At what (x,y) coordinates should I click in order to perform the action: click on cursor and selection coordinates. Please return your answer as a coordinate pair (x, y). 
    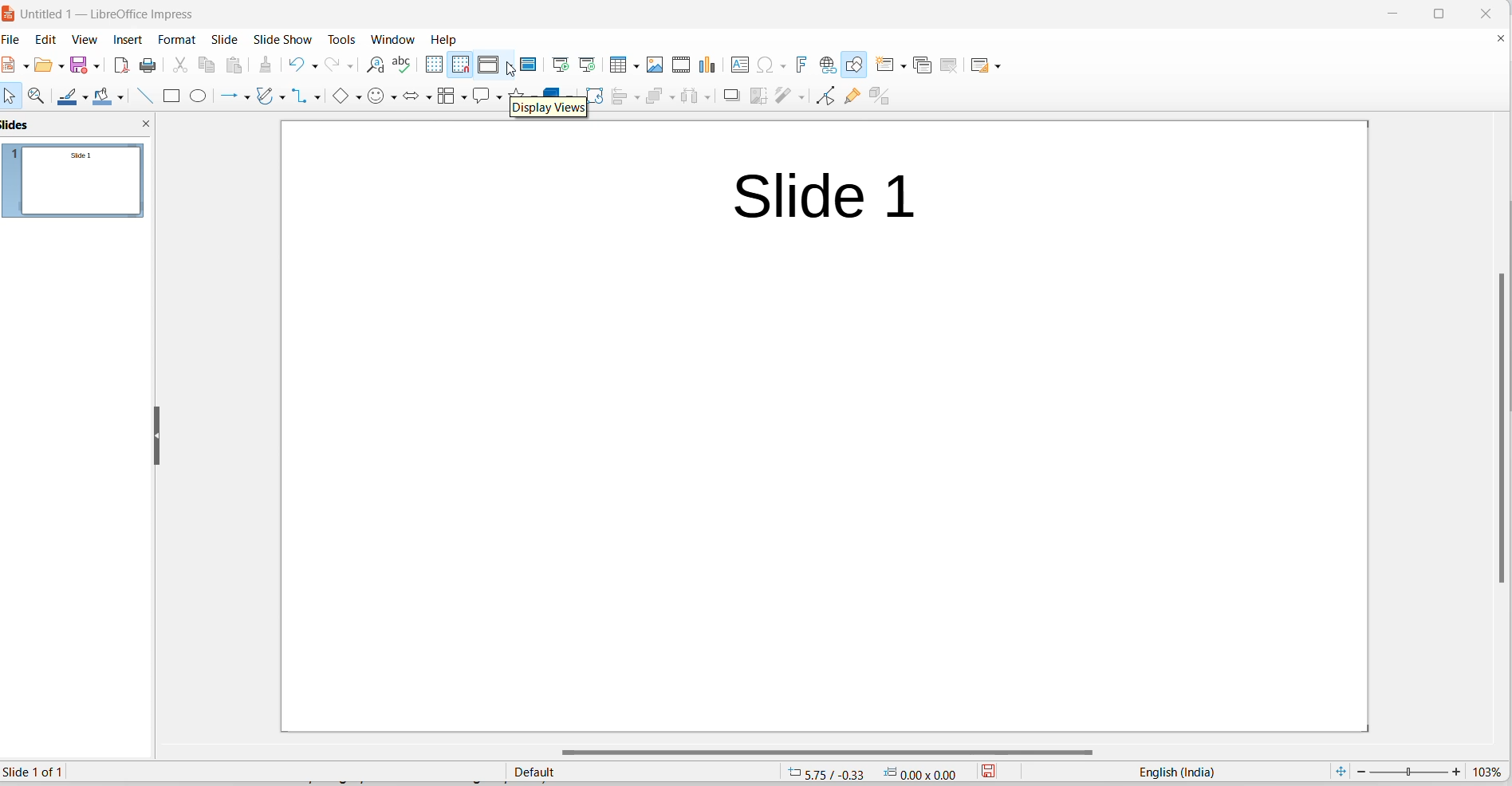
    Looking at the image, I should click on (877, 772).